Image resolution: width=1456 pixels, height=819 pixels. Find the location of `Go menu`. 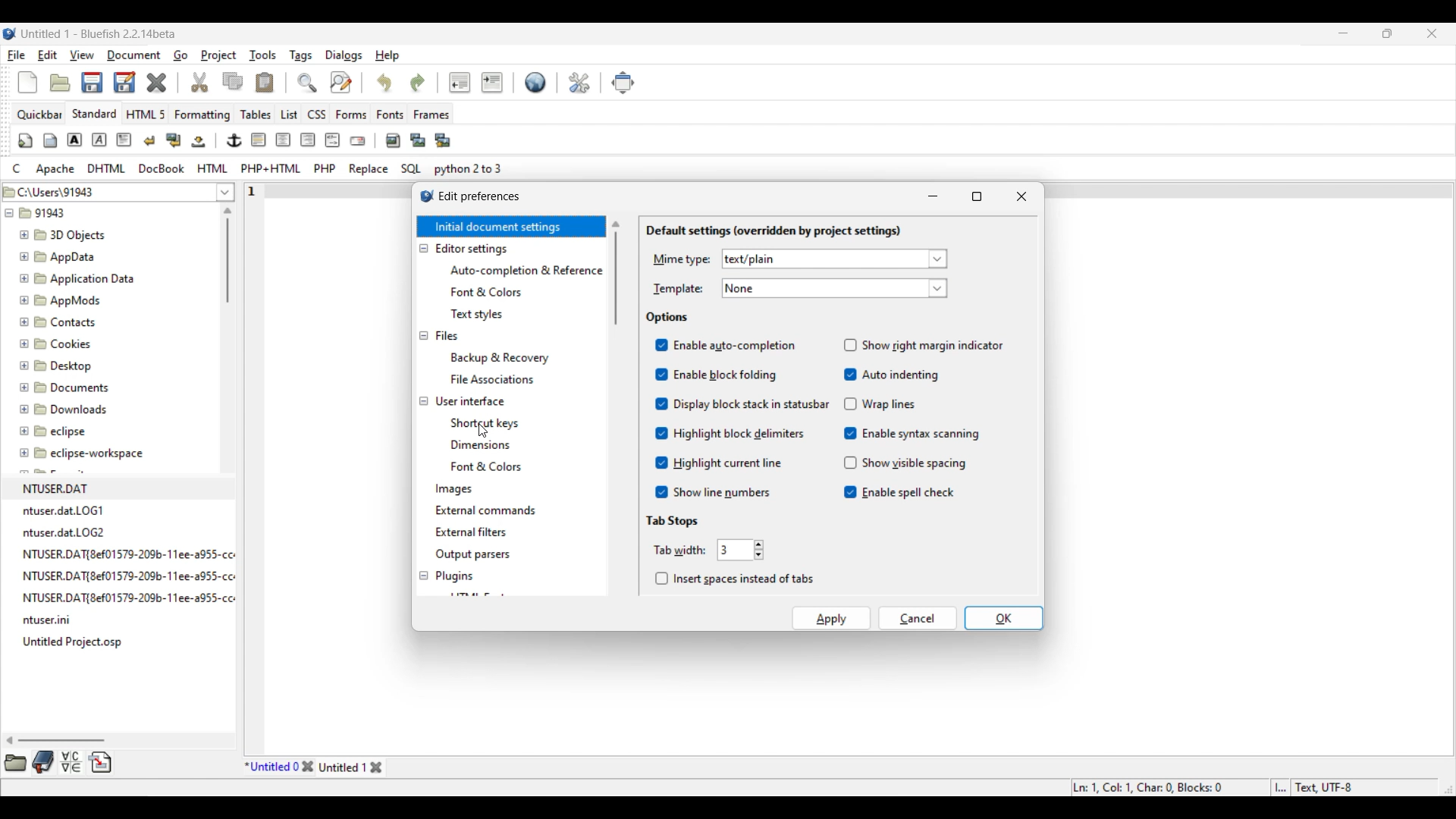

Go menu is located at coordinates (180, 55).